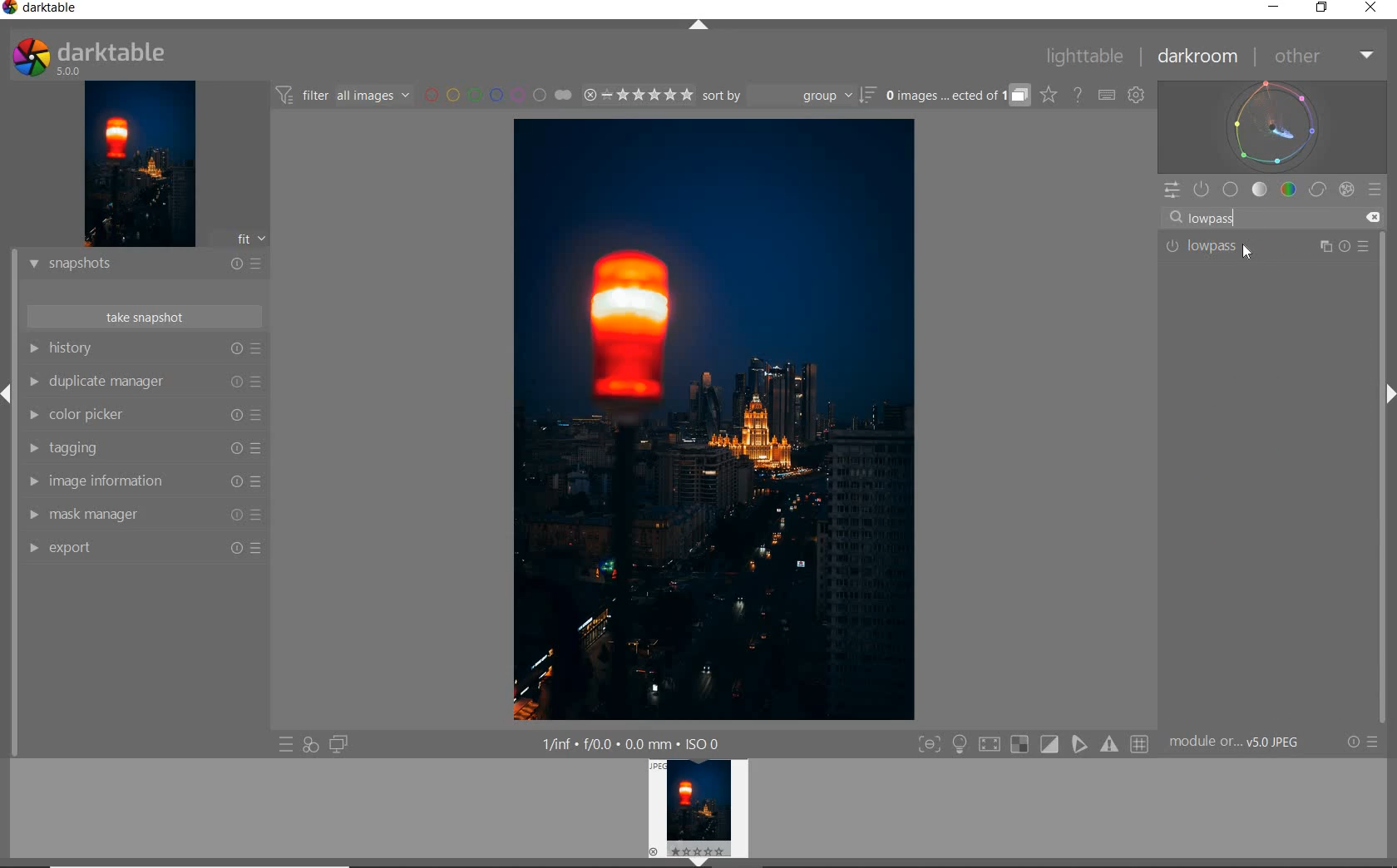 The width and height of the screenshot is (1397, 868). What do you see at coordinates (1034, 744) in the screenshot?
I see `TOGGLE MODES` at bounding box center [1034, 744].